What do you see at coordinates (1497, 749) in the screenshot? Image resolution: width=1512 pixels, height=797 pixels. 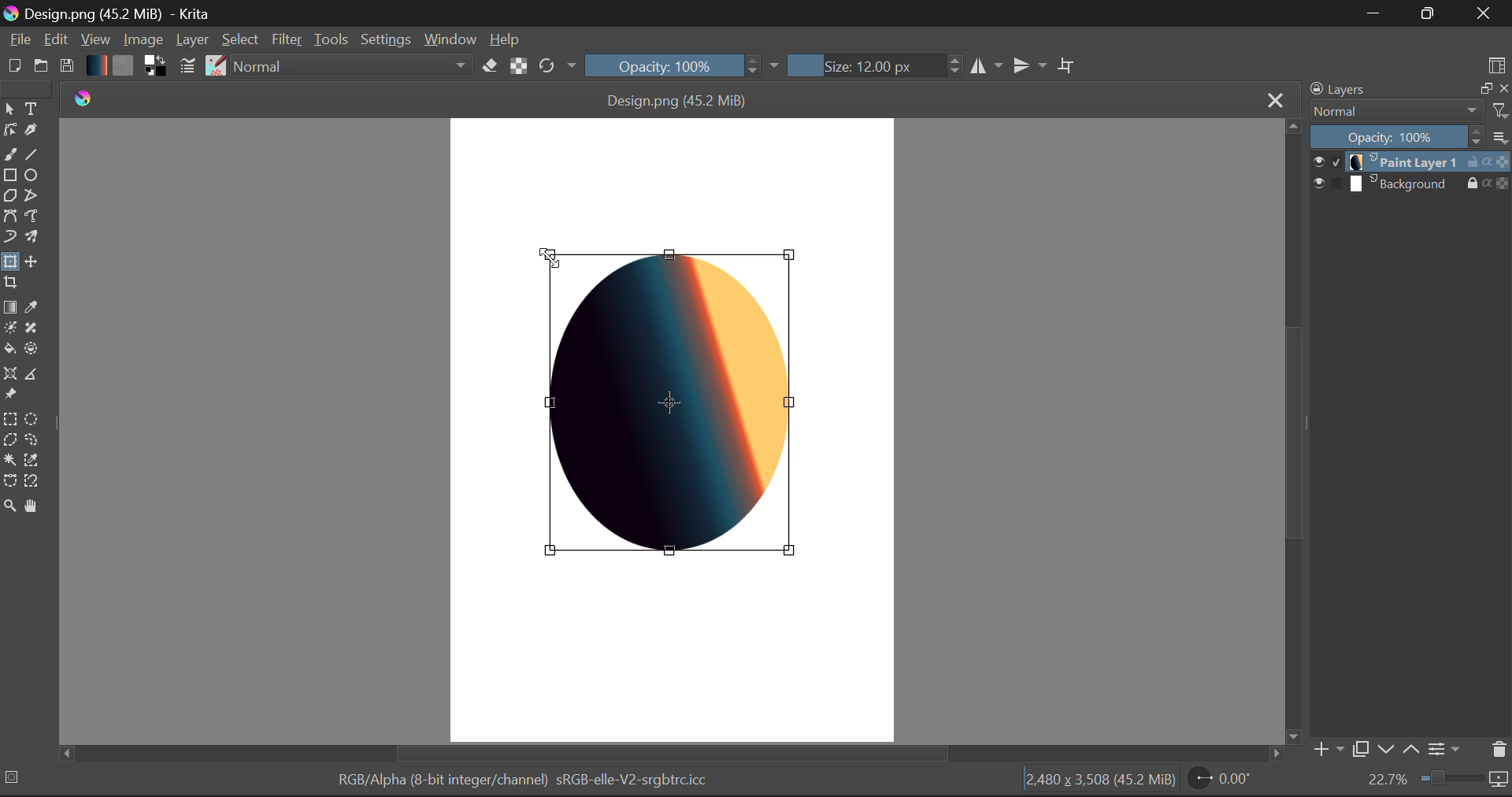 I see `Delete Layer` at bounding box center [1497, 749].